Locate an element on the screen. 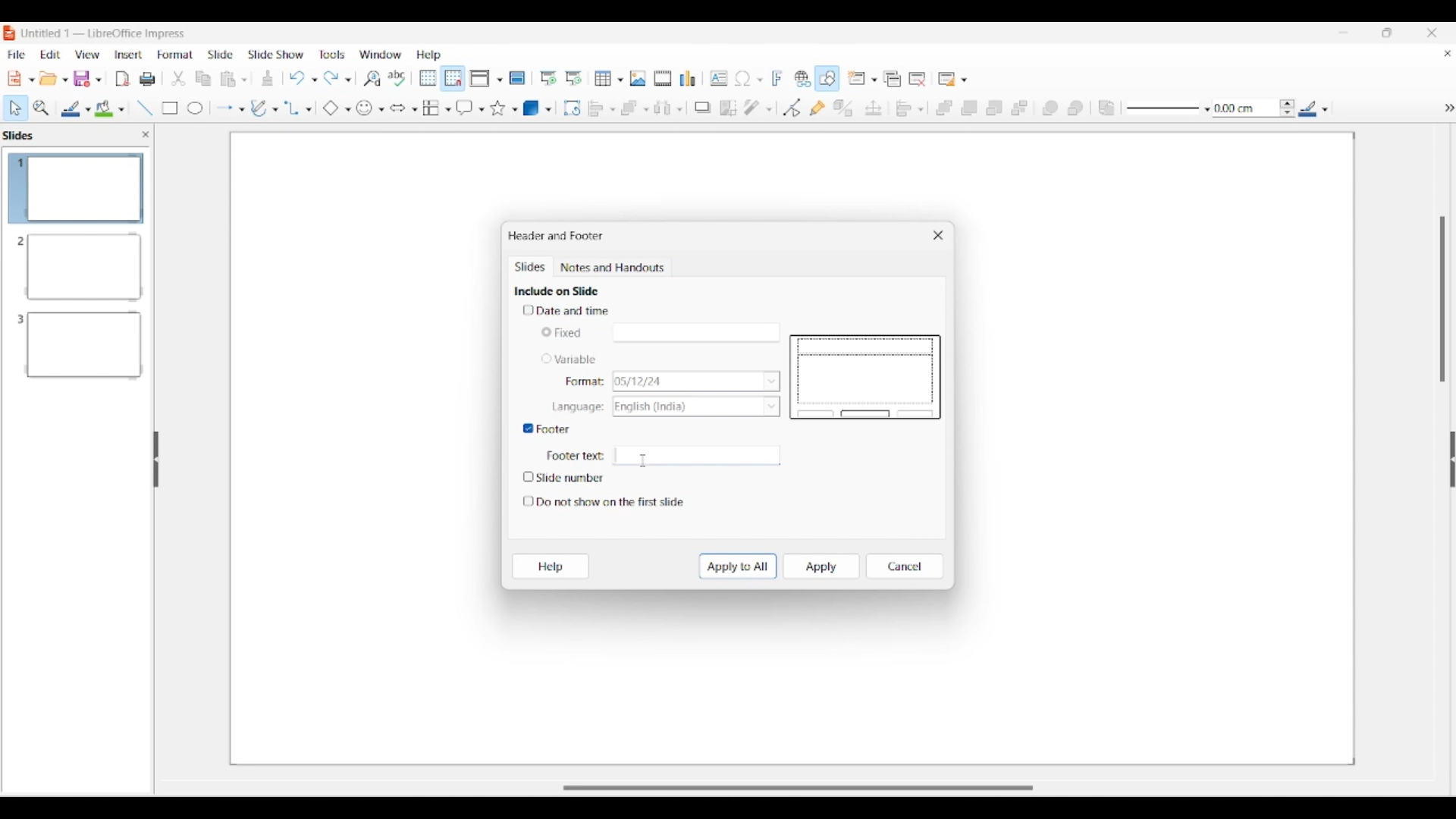 The height and width of the screenshot is (819, 1456). Arrange options is located at coordinates (634, 108).